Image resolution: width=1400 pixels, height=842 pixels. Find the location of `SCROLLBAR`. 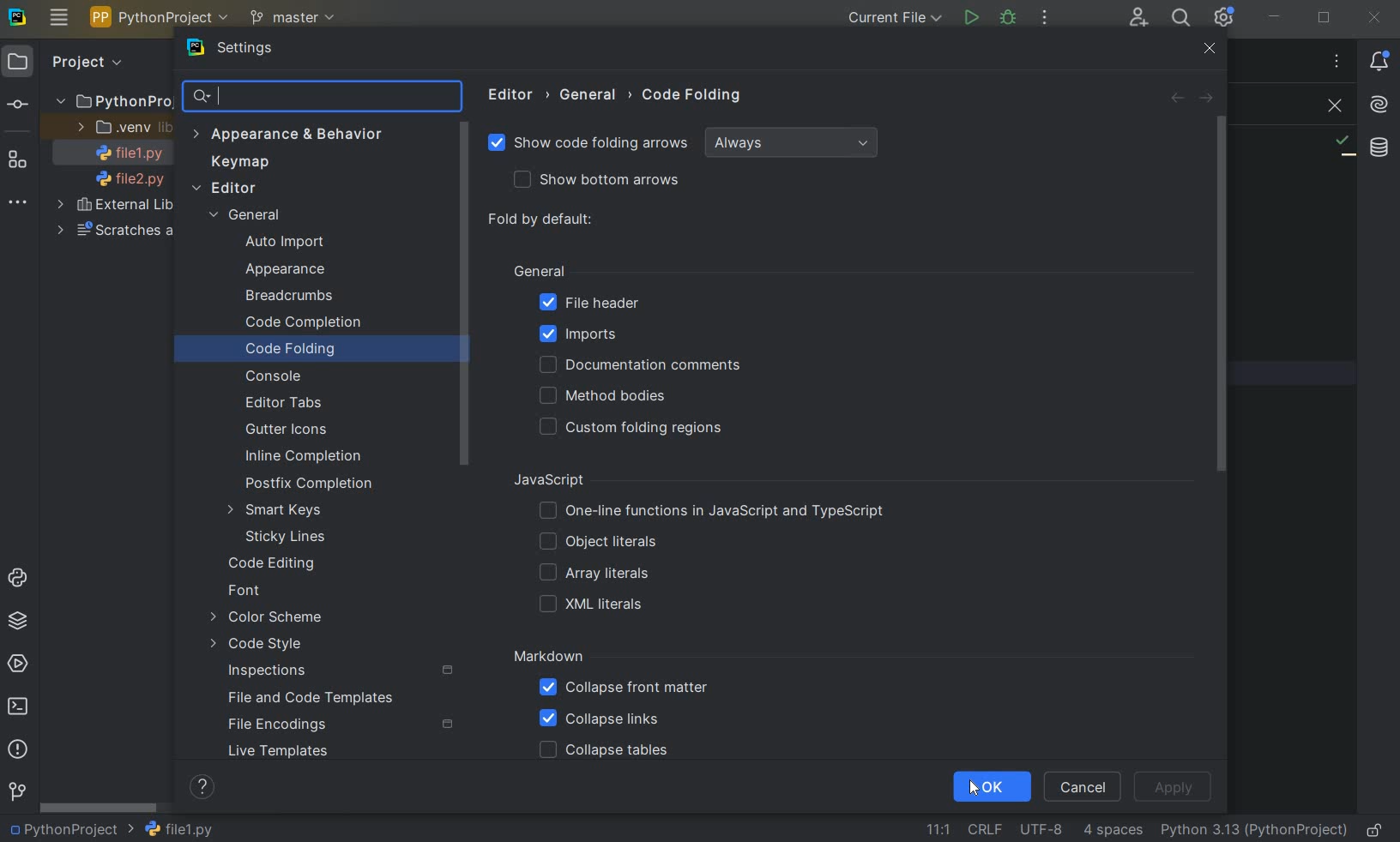

SCROLLBAR is located at coordinates (1228, 295).